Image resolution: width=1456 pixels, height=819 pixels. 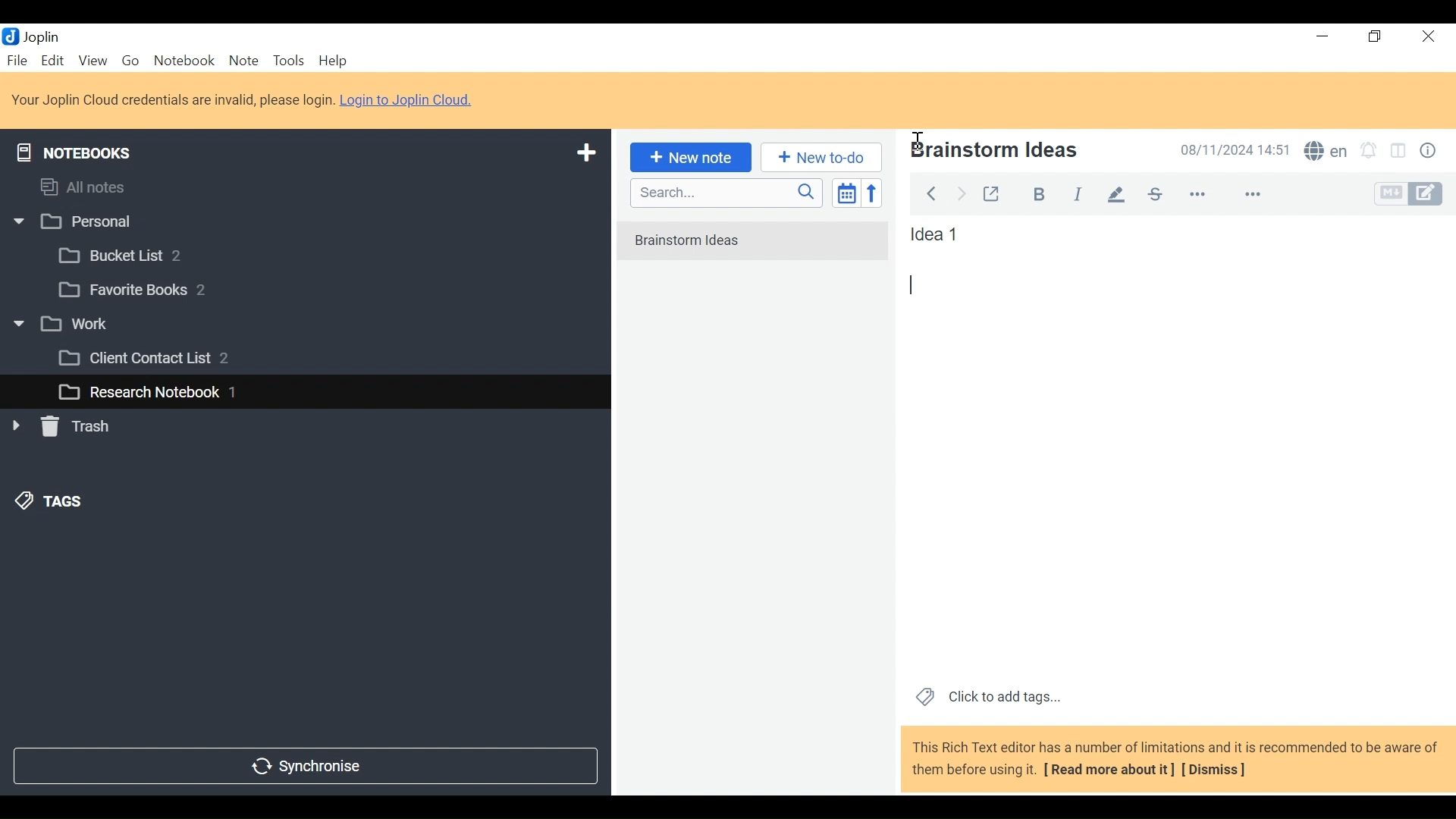 What do you see at coordinates (1321, 36) in the screenshot?
I see `Minimize` at bounding box center [1321, 36].